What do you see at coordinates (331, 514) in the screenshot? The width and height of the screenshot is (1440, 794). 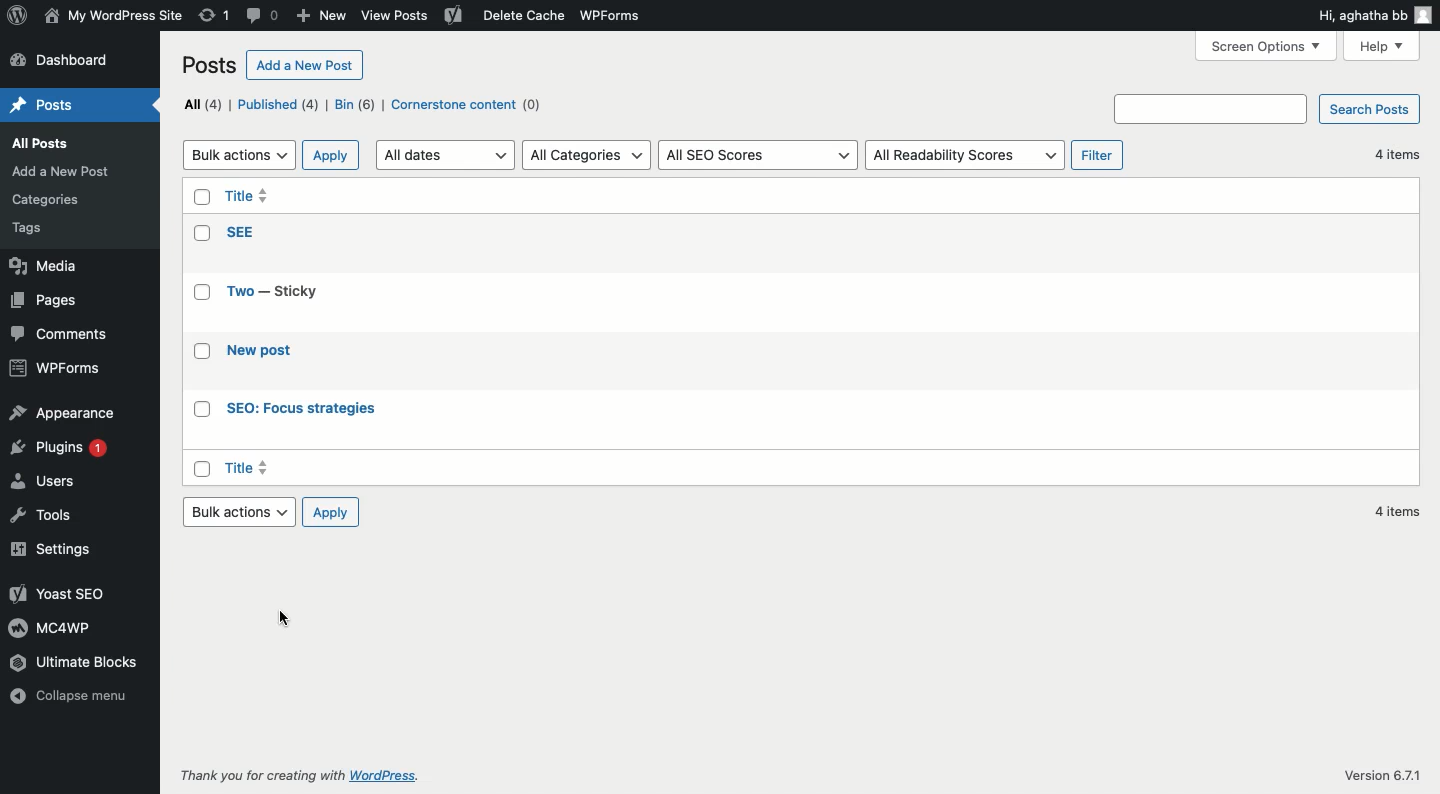 I see `Apply` at bounding box center [331, 514].